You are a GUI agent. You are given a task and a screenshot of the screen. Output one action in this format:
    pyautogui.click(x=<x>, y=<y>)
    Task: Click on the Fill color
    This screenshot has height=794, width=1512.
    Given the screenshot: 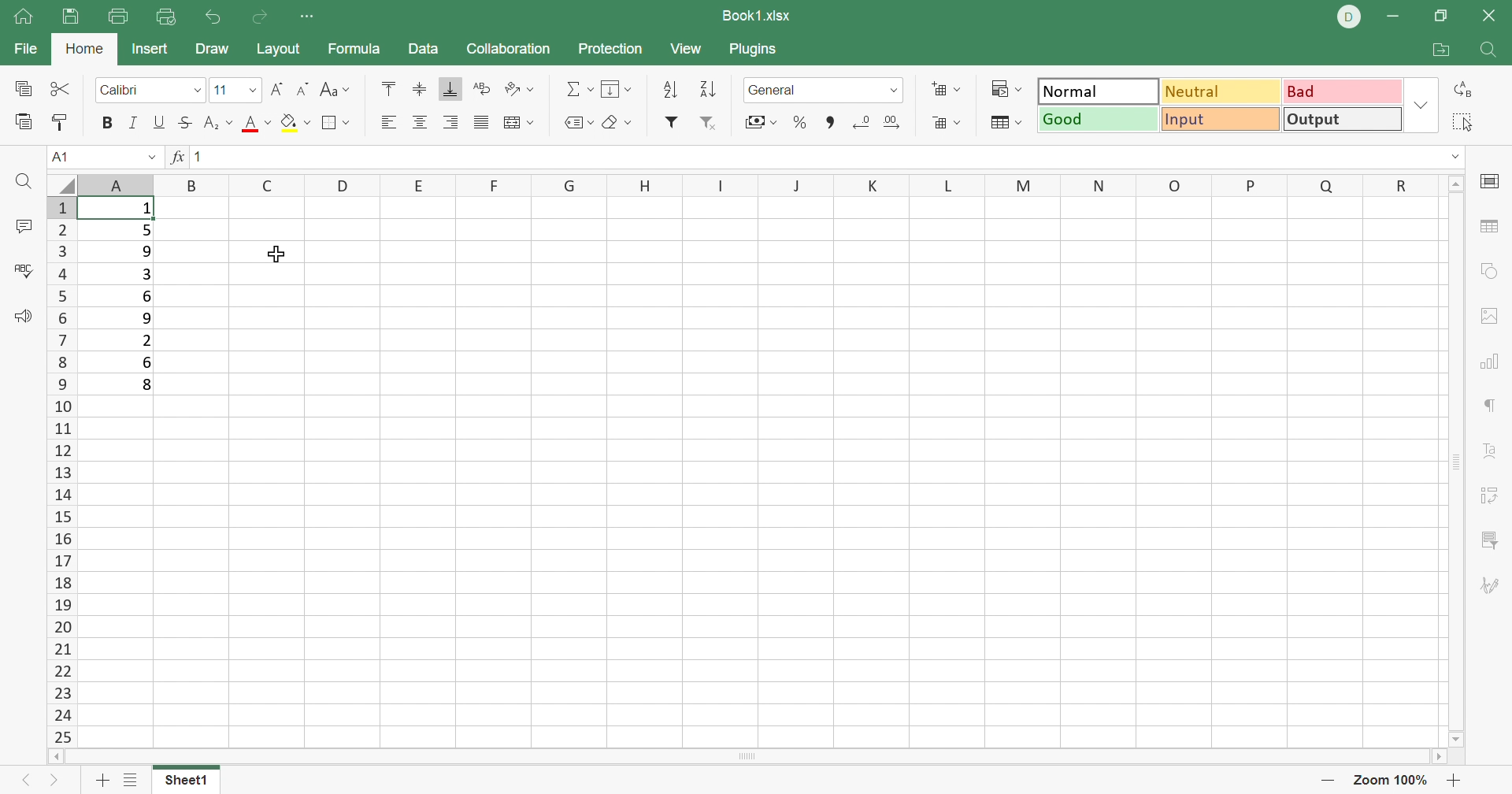 What is the action you would take?
    pyautogui.click(x=295, y=126)
    